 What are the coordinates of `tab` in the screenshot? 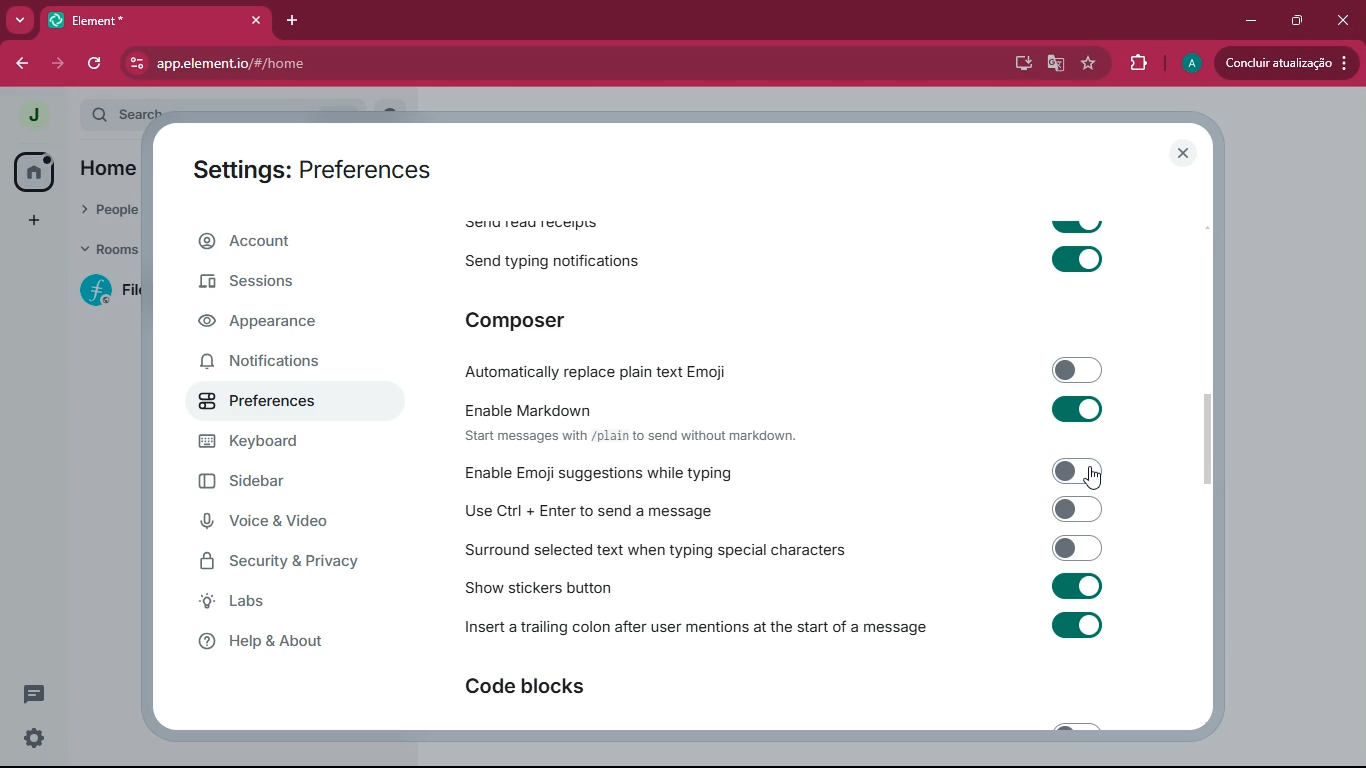 It's located at (153, 20).